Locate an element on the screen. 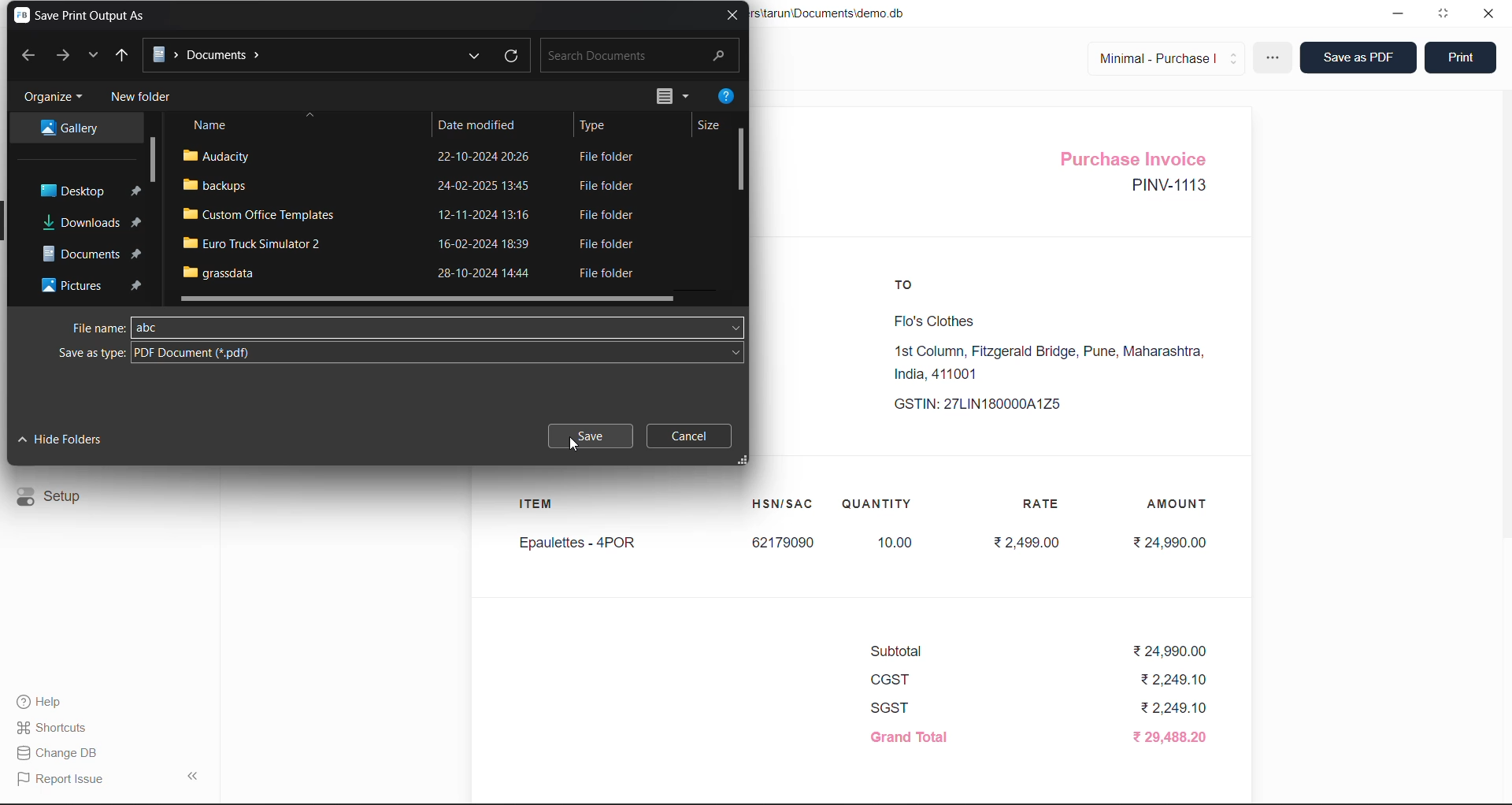  File folder is located at coordinates (610, 274).